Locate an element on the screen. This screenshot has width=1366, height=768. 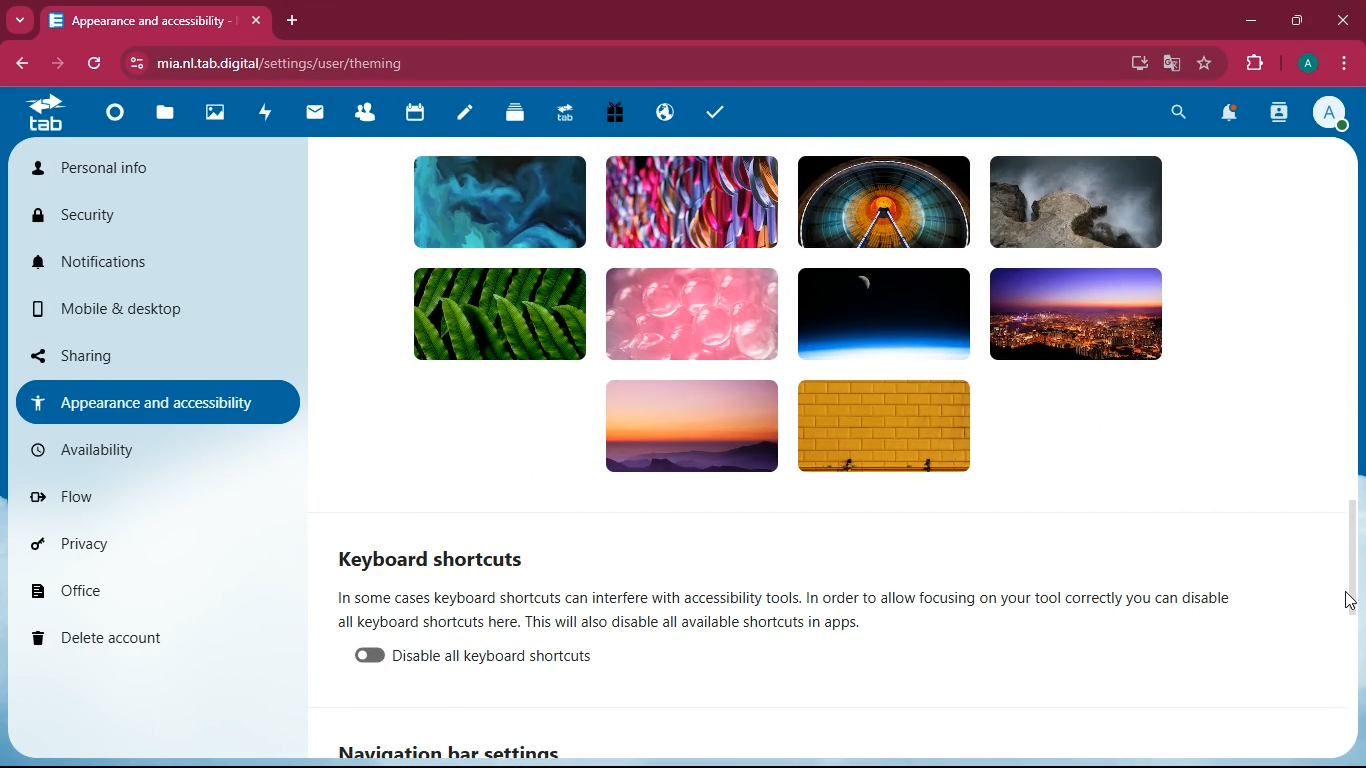
profile is located at coordinates (1326, 112).